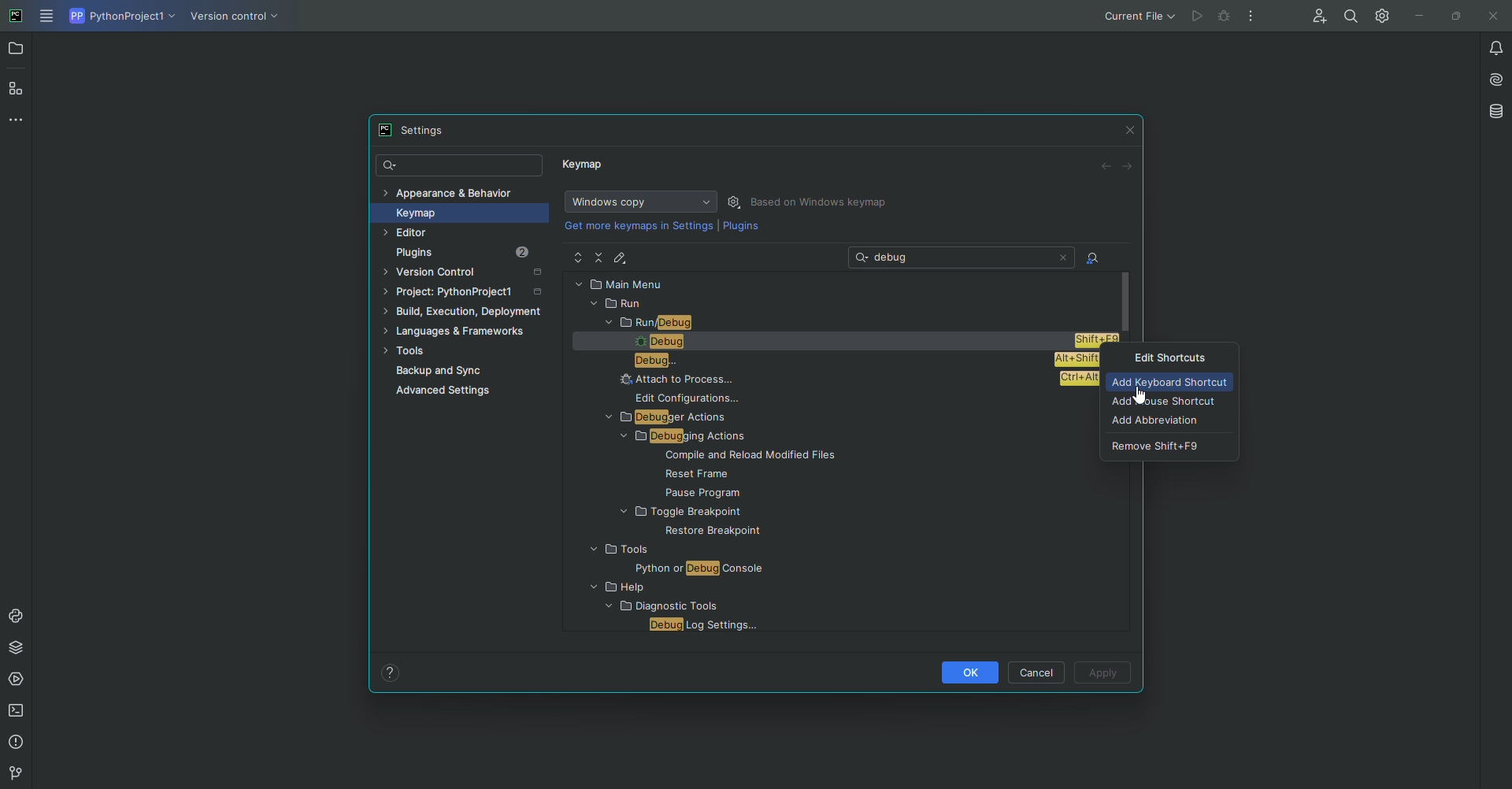  Describe the element at coordinates (1170, 445) in the screenshot. I see `Remove` at that location.